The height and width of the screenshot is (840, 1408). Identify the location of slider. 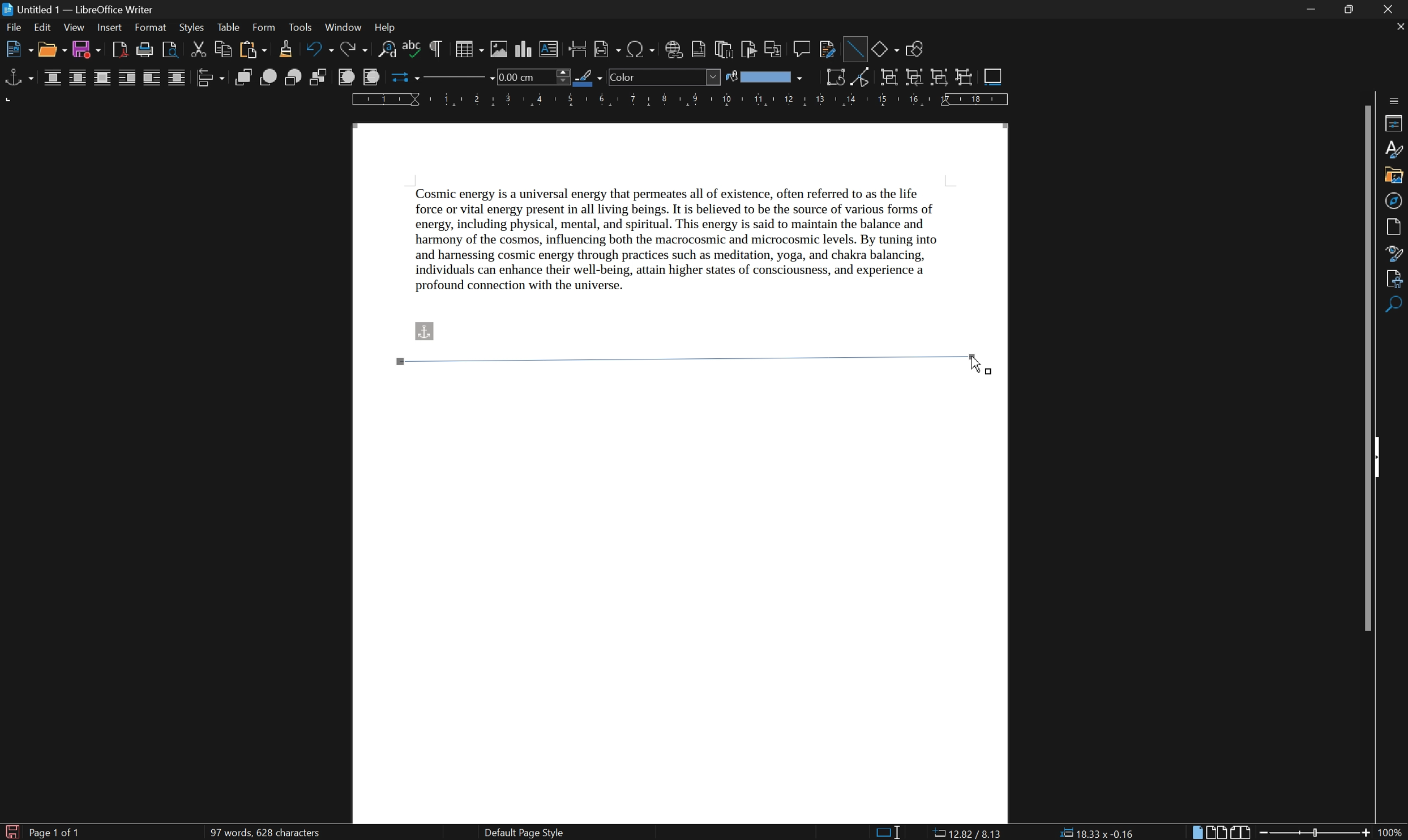
(1317, 832).